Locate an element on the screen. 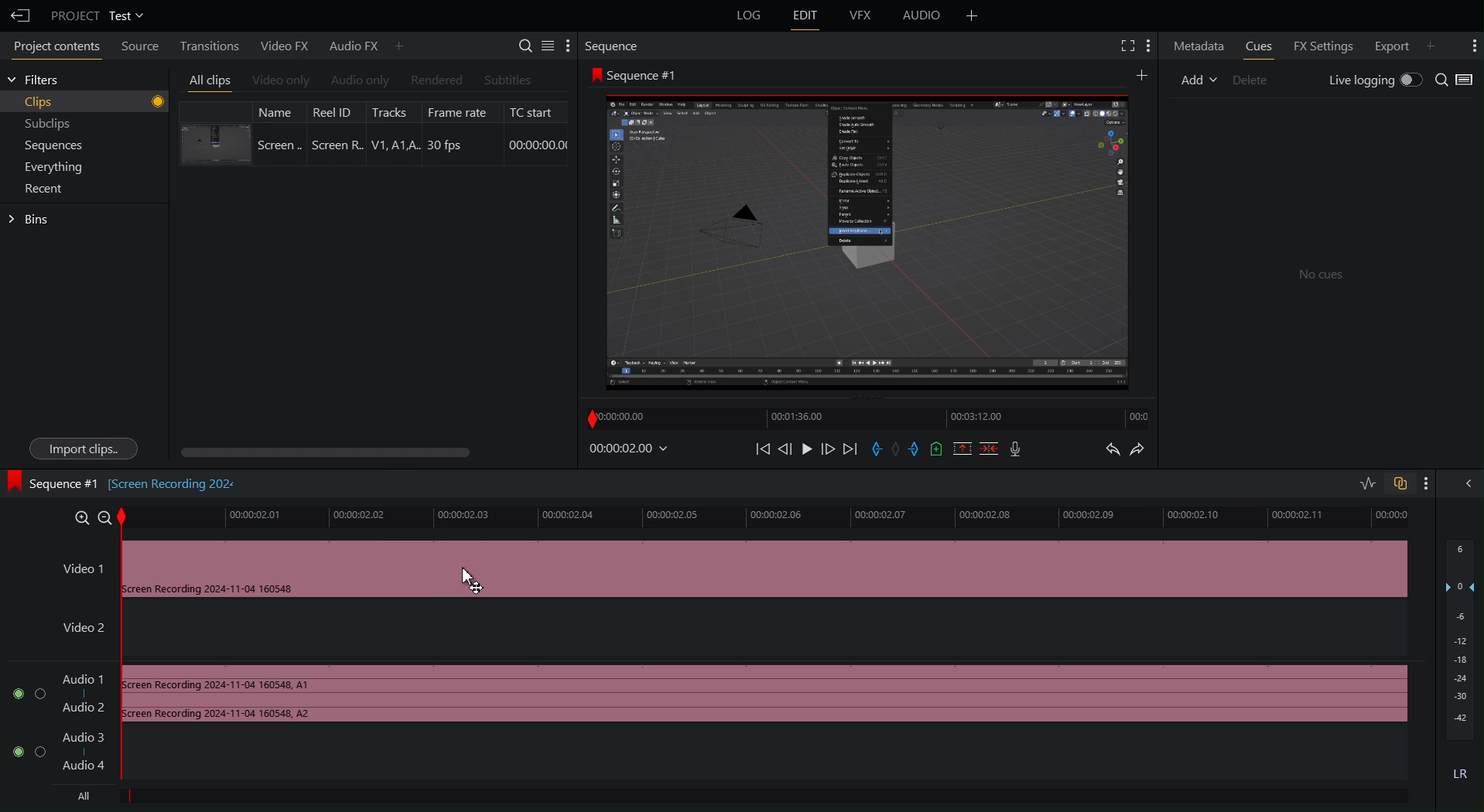 The height and width of the screenshot is (812, 1484). More is located at coordinates (1470, 46).